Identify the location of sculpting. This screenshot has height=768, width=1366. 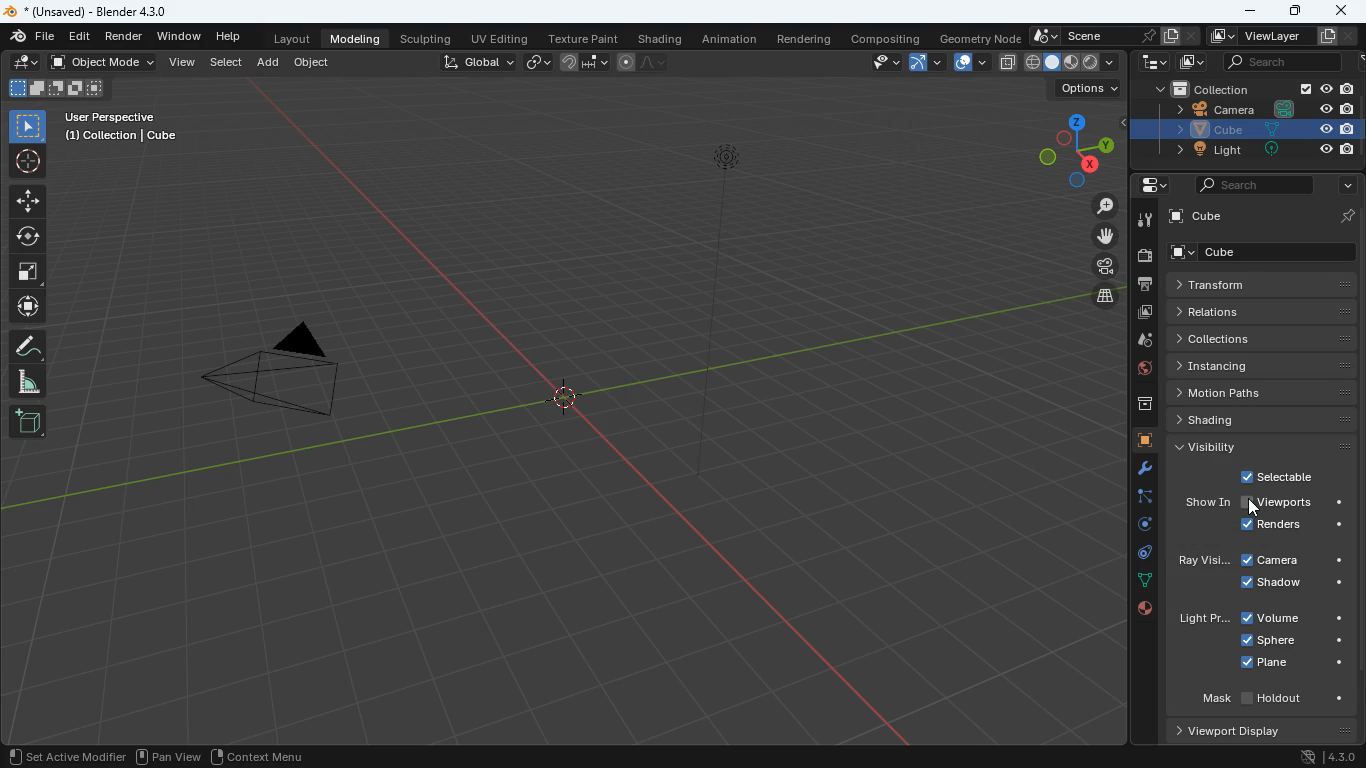
(426, 38).